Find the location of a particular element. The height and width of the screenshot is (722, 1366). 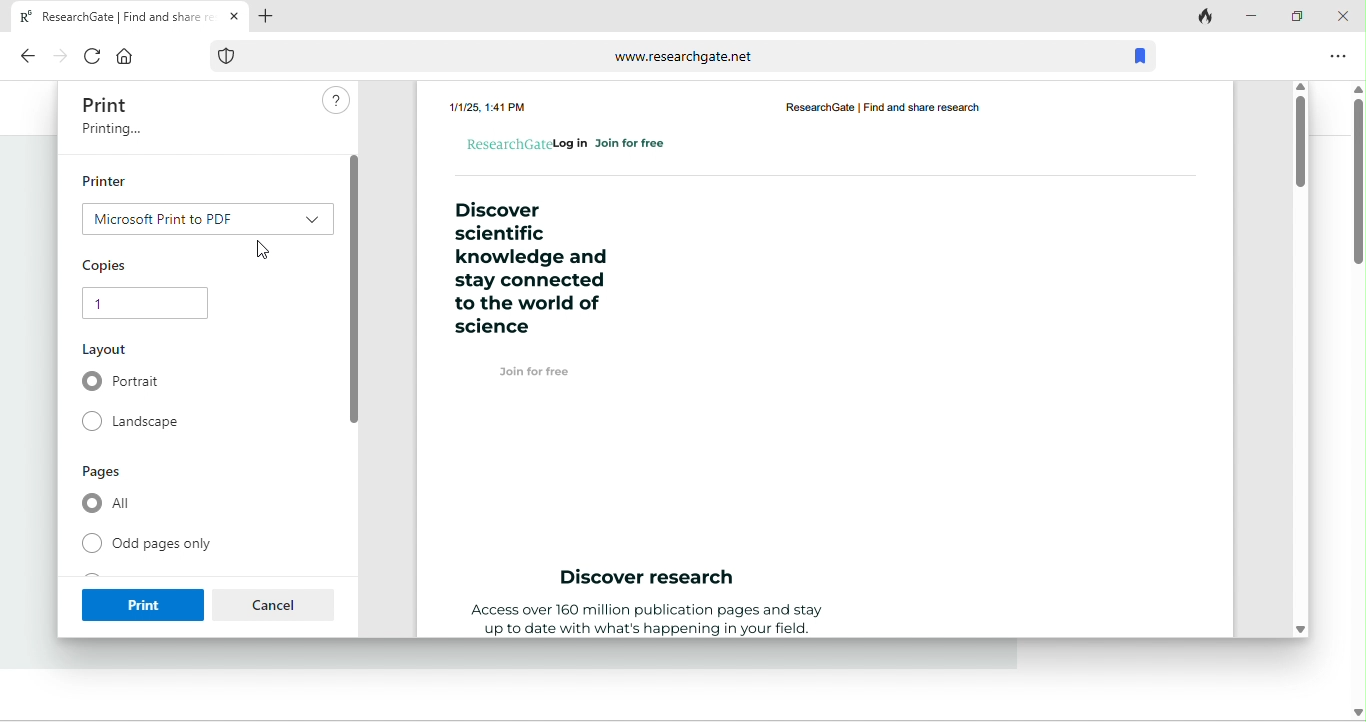

pages is located at coordinates (109, 472).